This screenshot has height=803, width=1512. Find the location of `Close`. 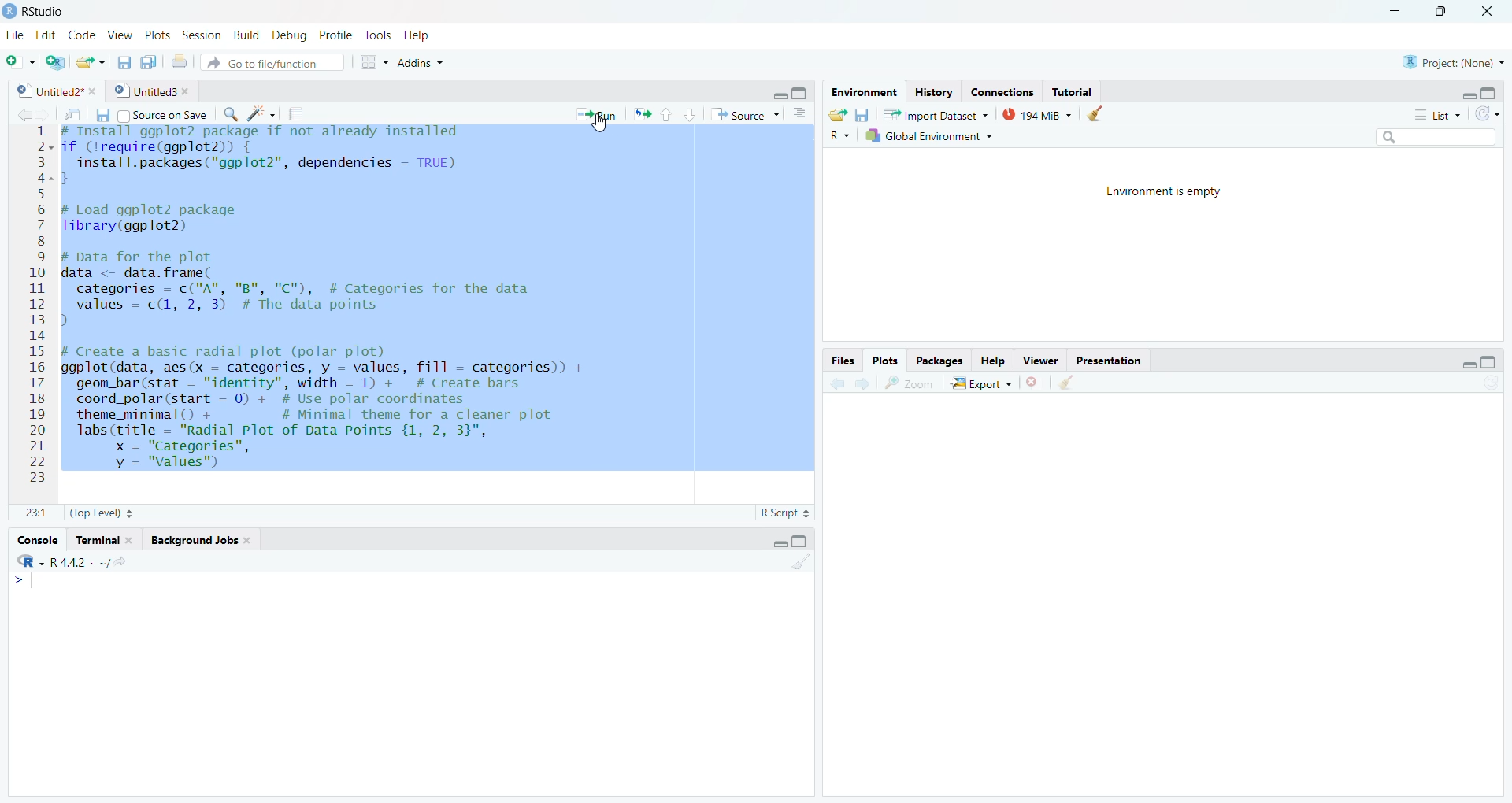

Close is located at coordinates (1485, 11).